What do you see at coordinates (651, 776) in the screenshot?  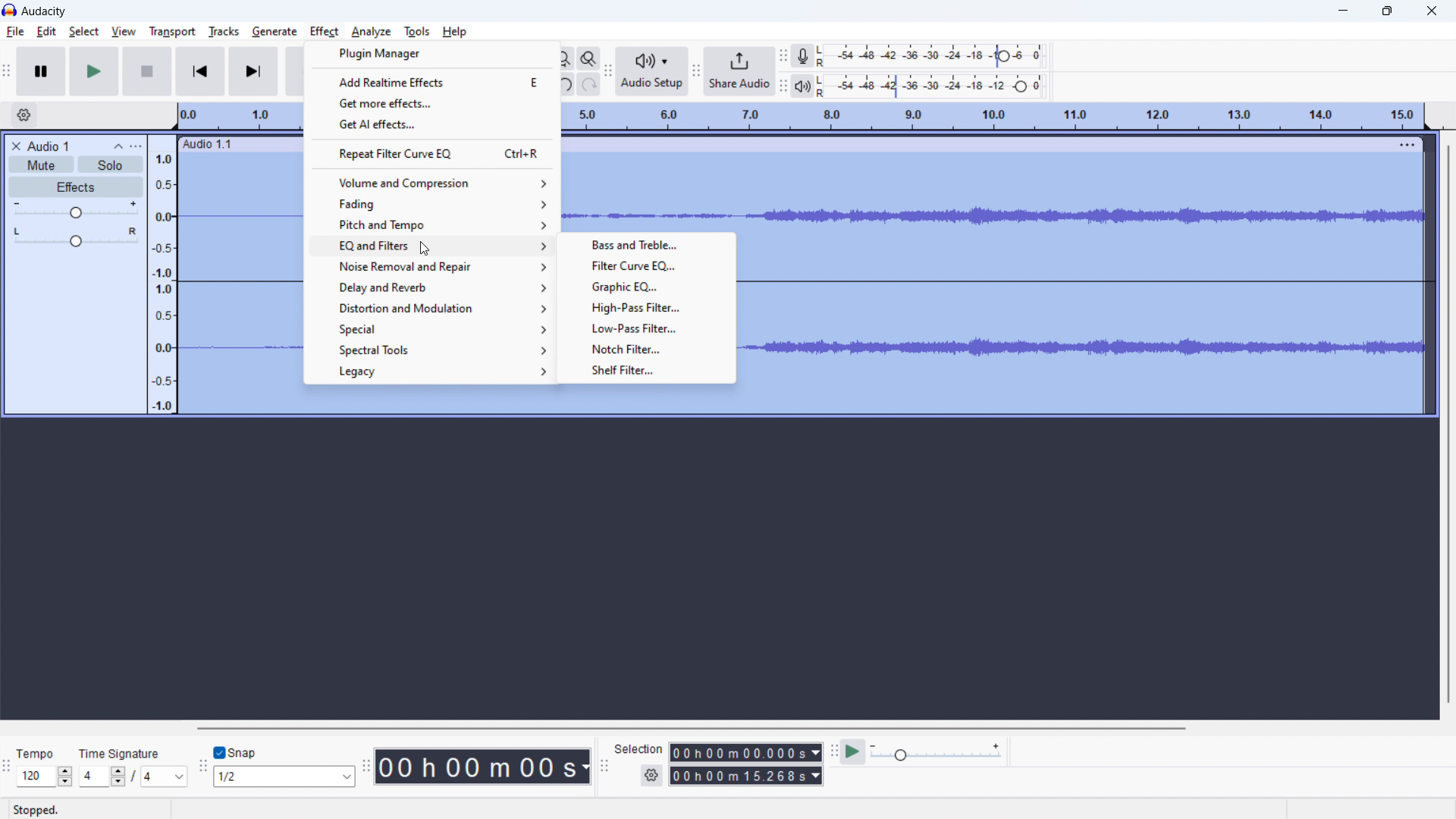 I see `settings` at bounding box center [651, 776].